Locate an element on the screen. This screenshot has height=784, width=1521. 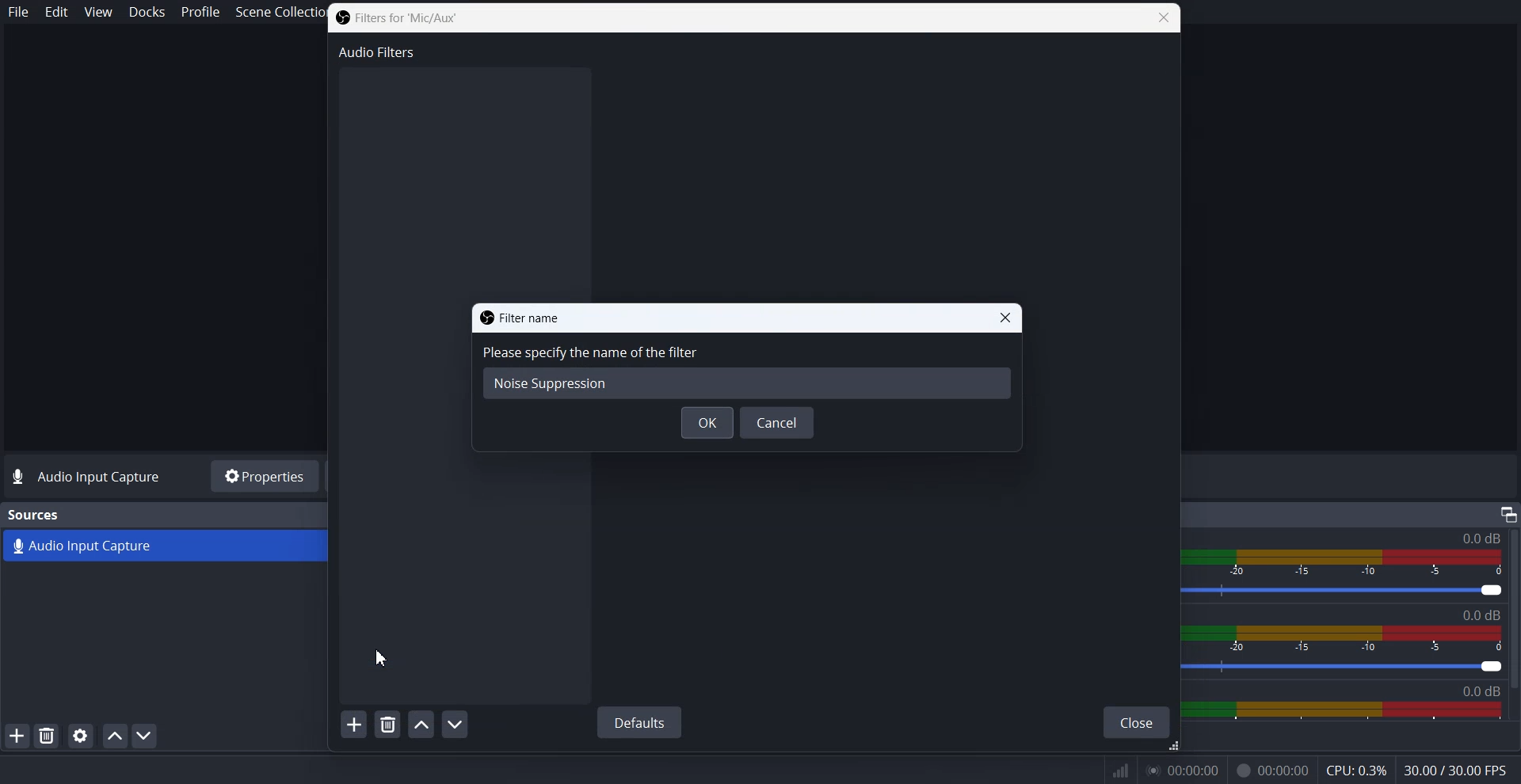
Profile is located at coordinates (200, 12).